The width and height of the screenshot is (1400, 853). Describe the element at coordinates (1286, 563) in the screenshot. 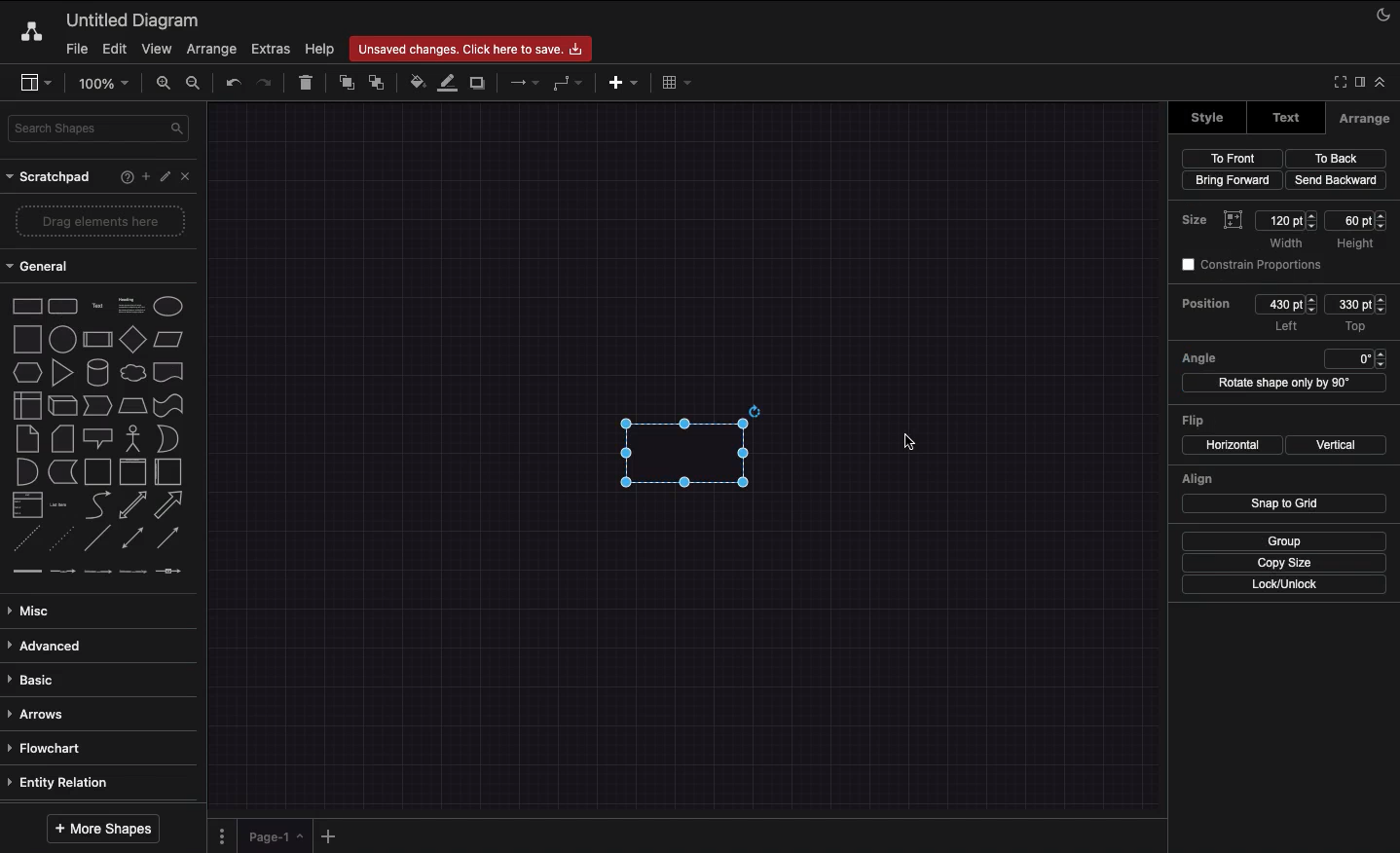

I see `Copy size` at that location.